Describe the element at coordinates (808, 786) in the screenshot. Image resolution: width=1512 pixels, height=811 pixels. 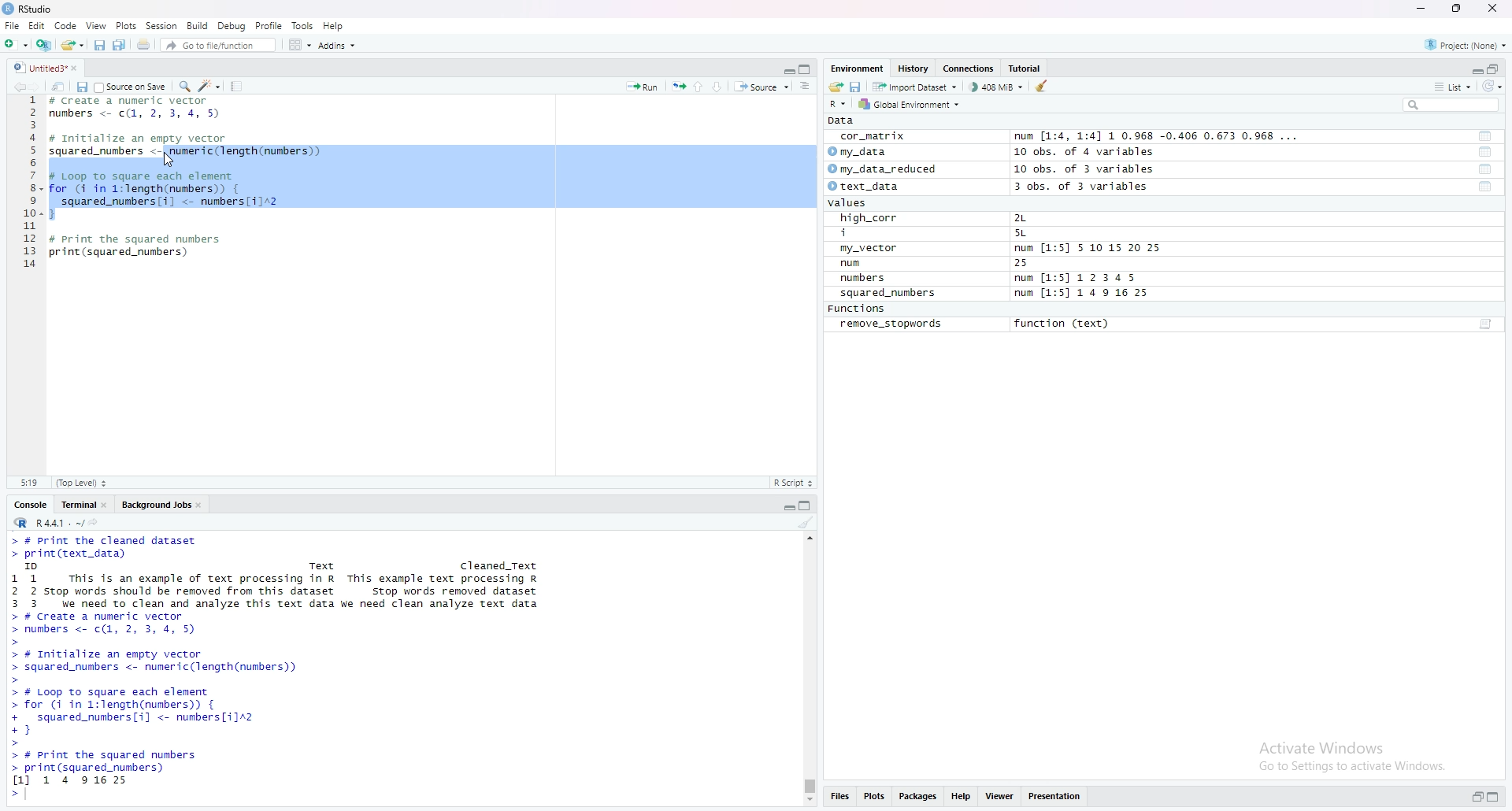
I see `verical scrollbar` at that location.